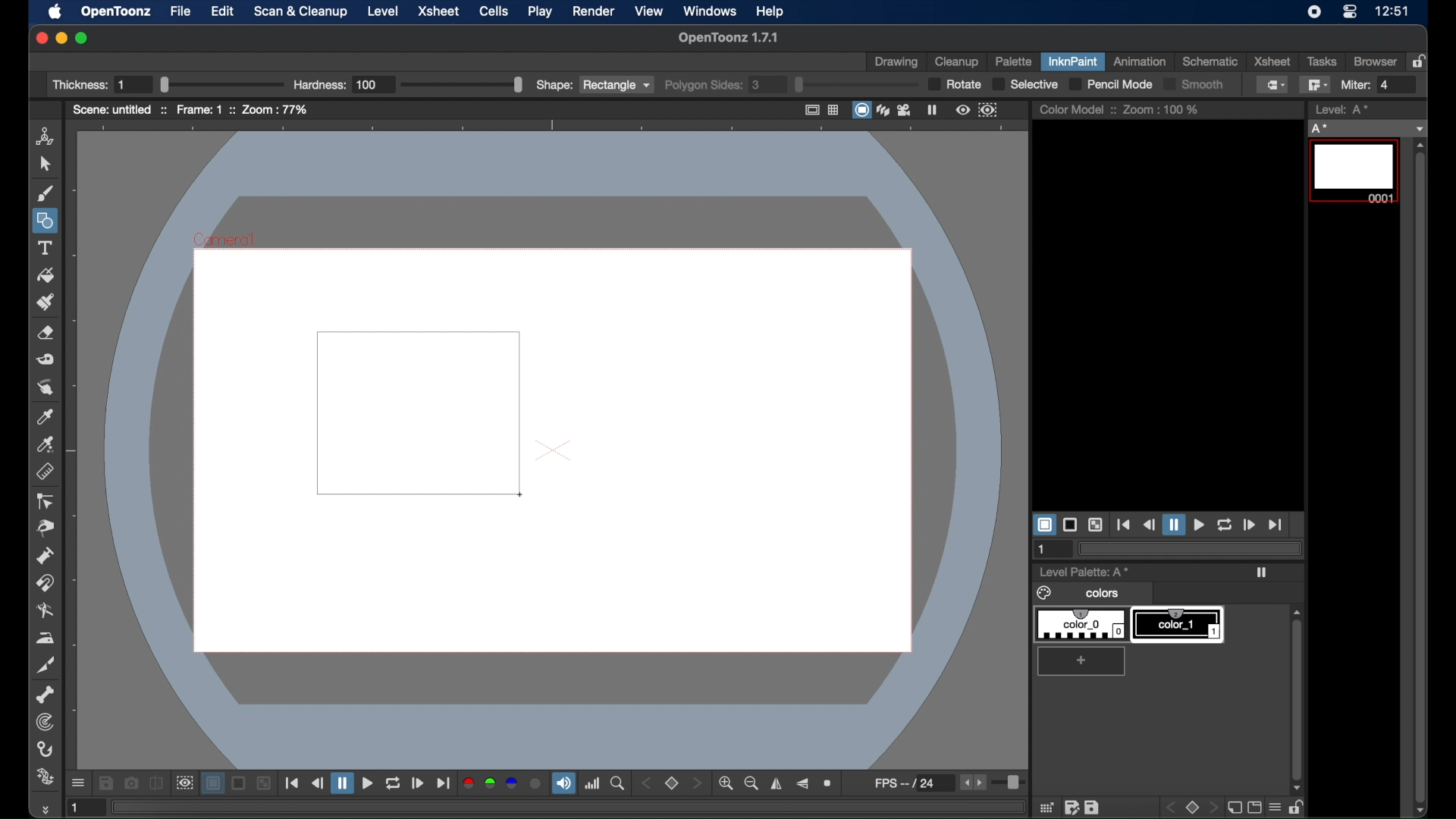 This screenshot has width=1456, height=819. I want to click on camera stand view, so click(861, 109).